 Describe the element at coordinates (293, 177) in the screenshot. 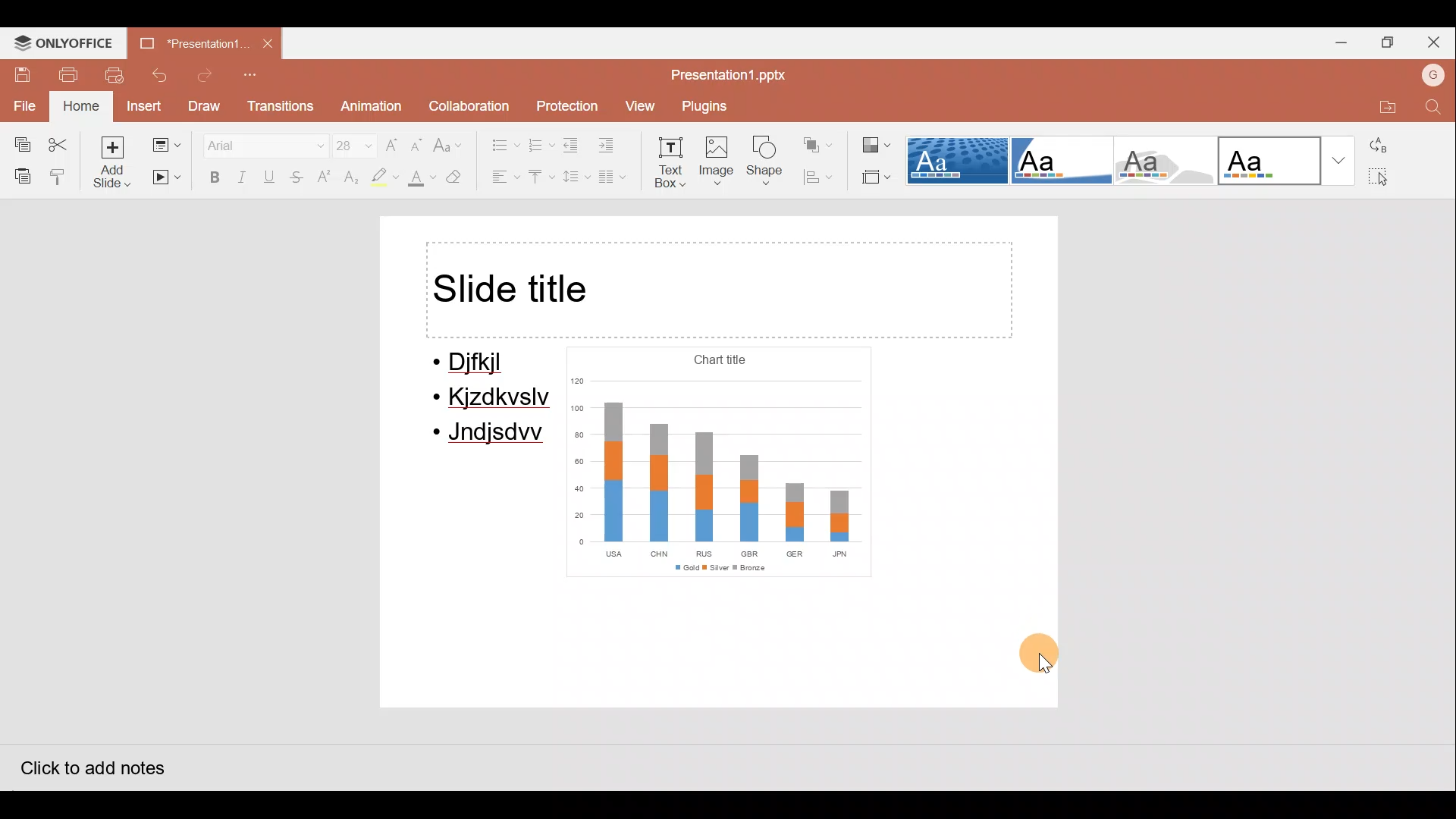

I see `Strikethrough` at that location.